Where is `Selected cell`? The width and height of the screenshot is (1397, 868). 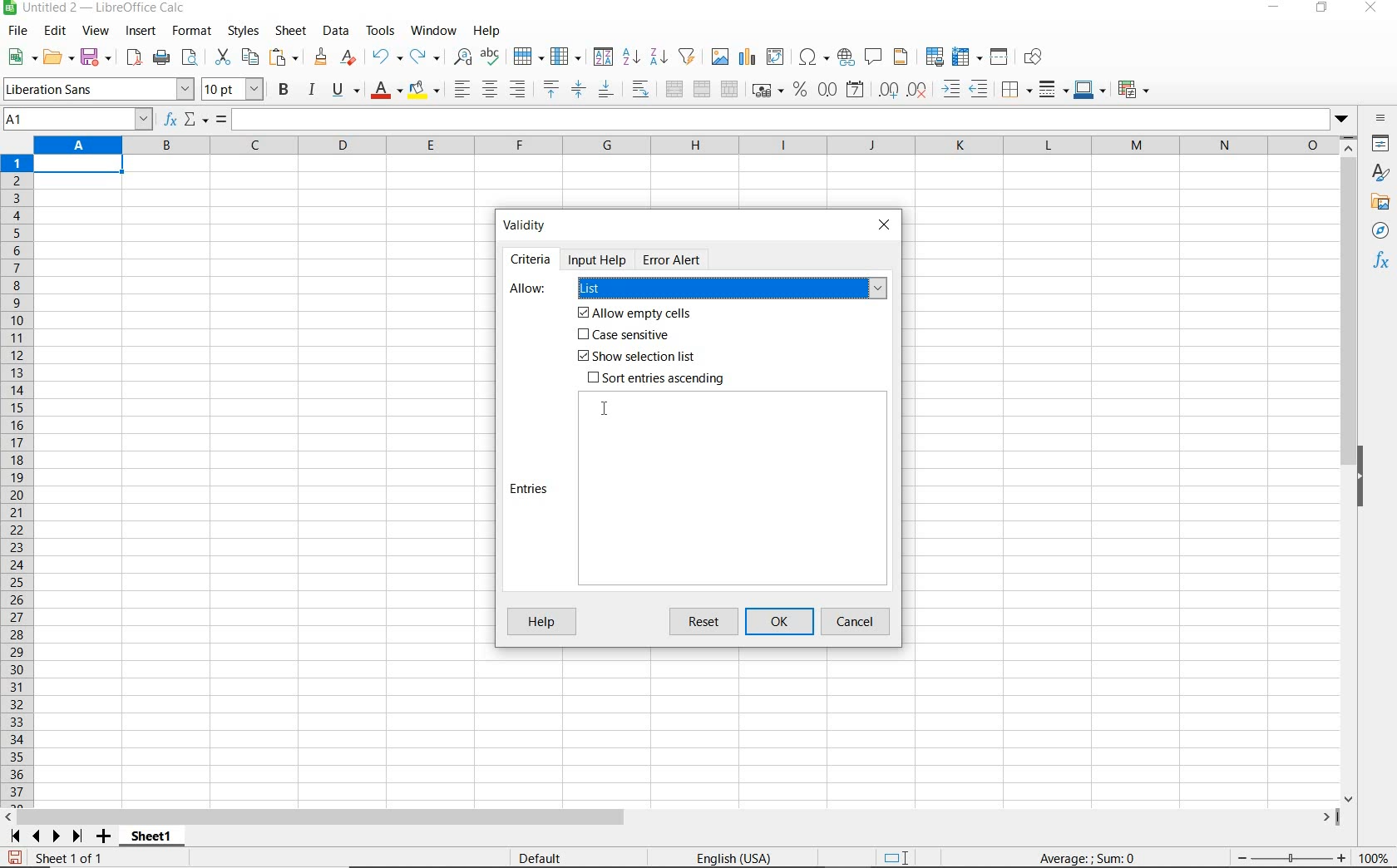
Selected cell is located at coordinates (78, 165).